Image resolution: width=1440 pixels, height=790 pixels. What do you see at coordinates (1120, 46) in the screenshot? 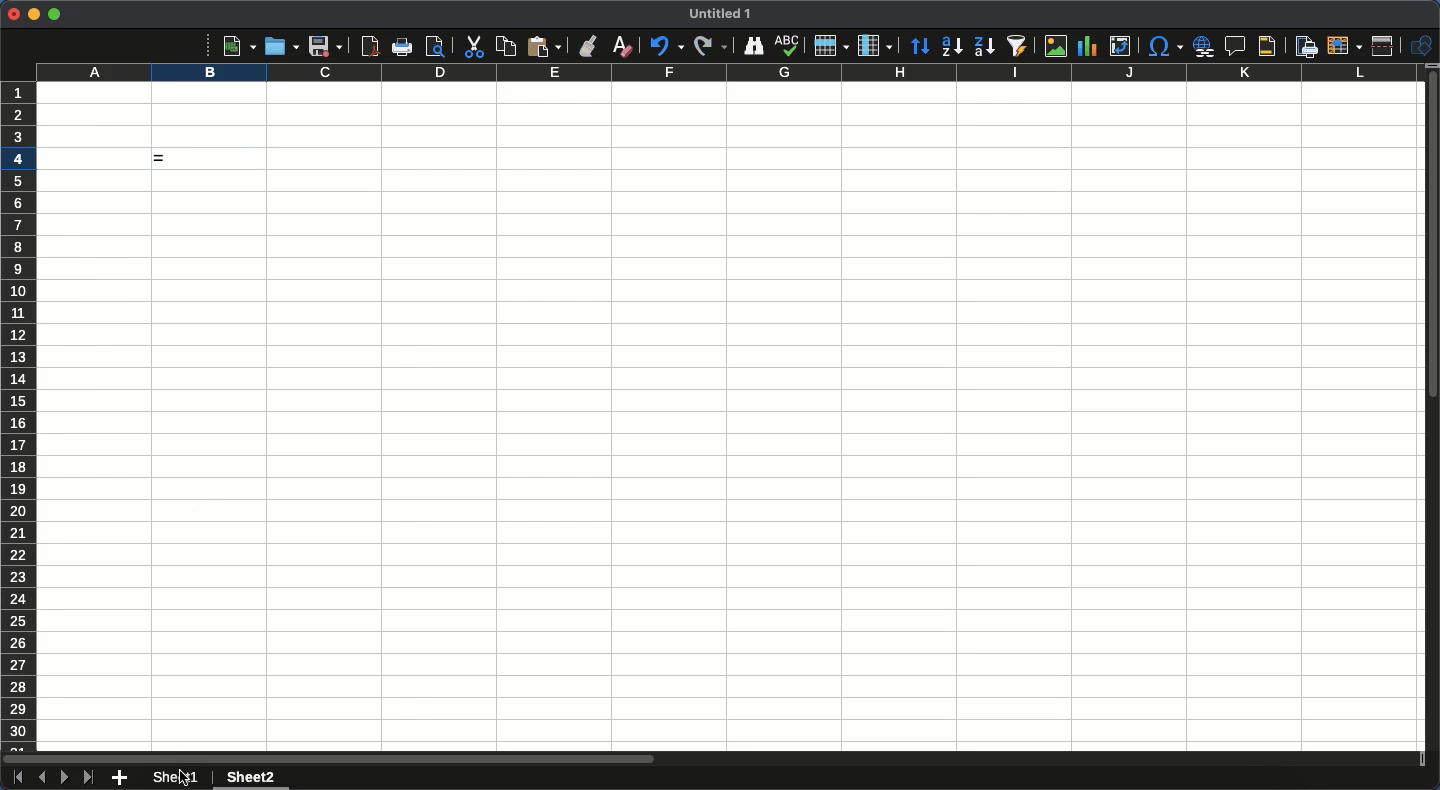
I see `Pivot table` at bounding box center [1120, 46].